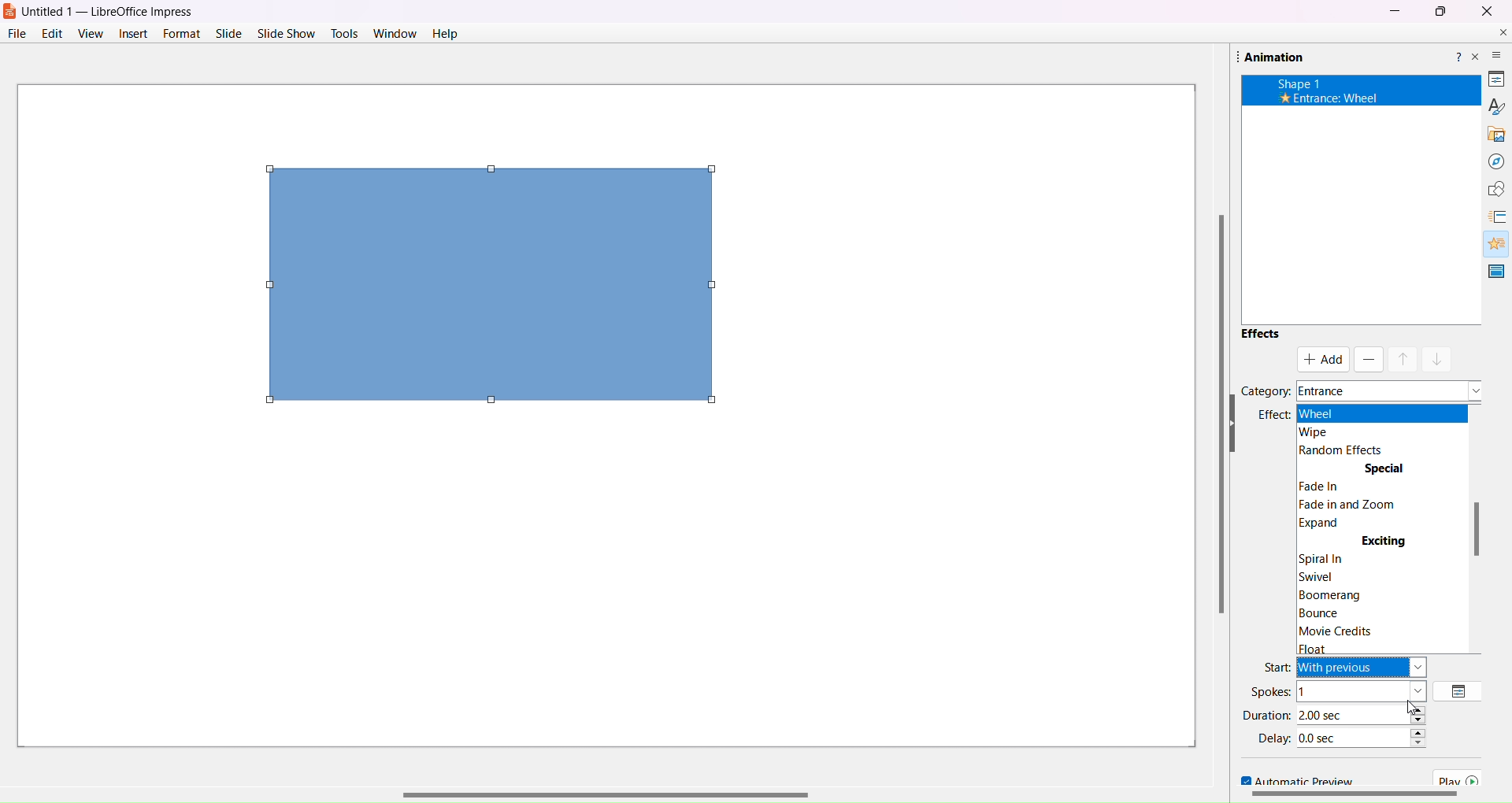 This screenshot has height=803, width=1512. What do you see at coordinates (1456, 54) in the screenshot?
I see `Help` at bounding box center [1456, 54].